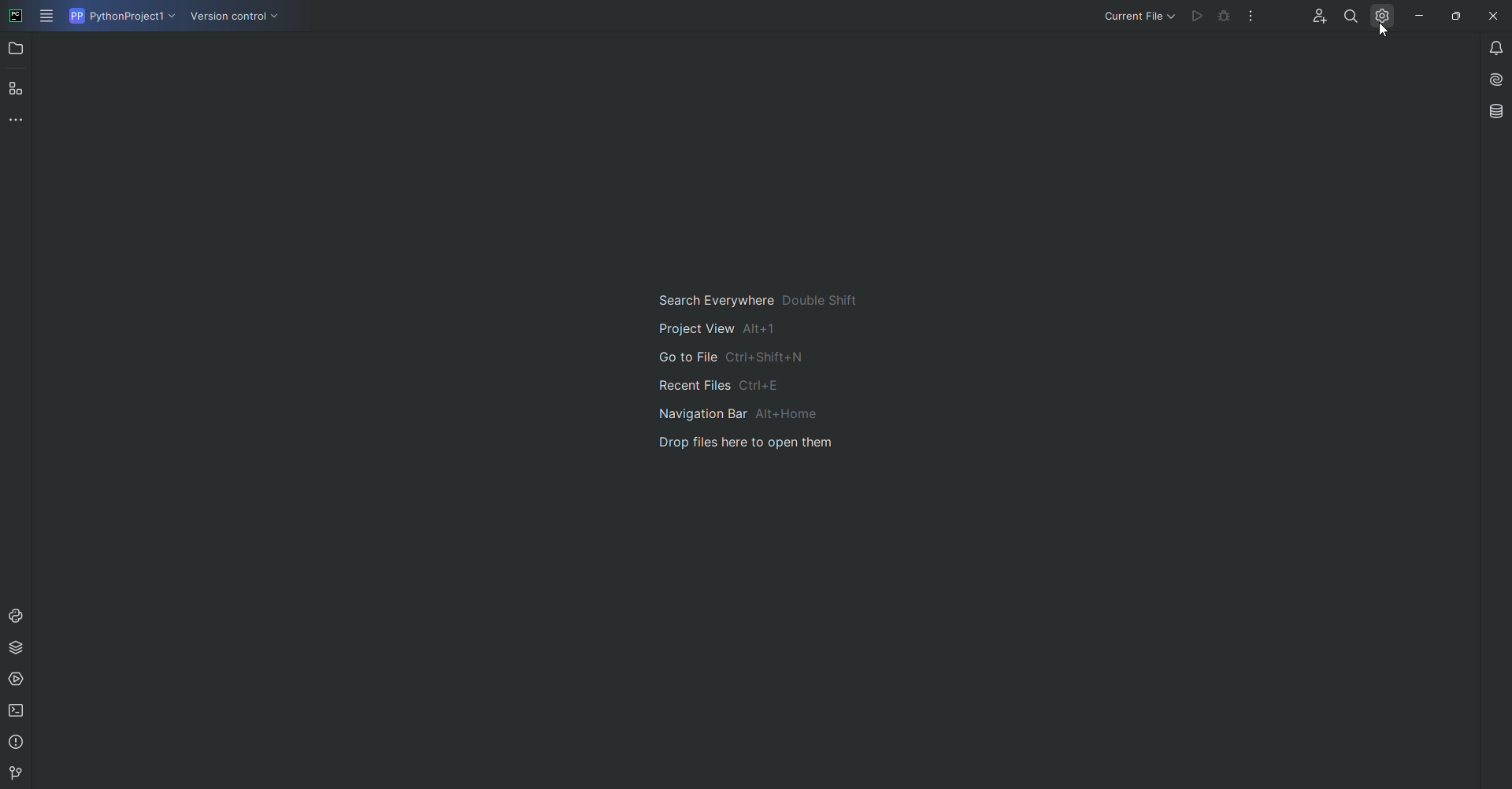 This screenshot has height=789, width=1512. I want to click on Cannot run the file, so click(1199, 16).